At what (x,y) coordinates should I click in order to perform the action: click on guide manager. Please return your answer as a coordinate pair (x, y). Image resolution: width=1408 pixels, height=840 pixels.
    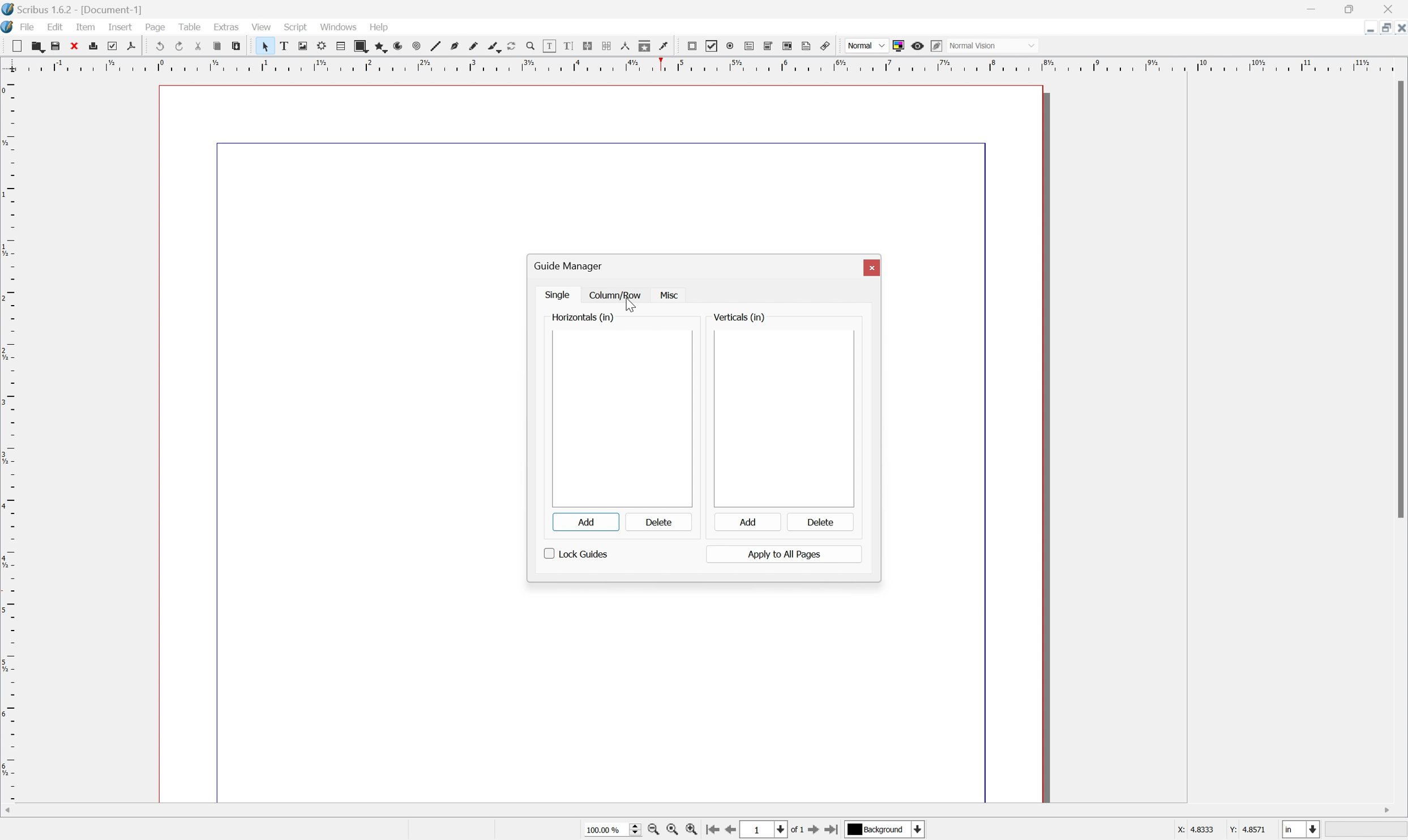
    Looking at the image, I should click on (566, 266).